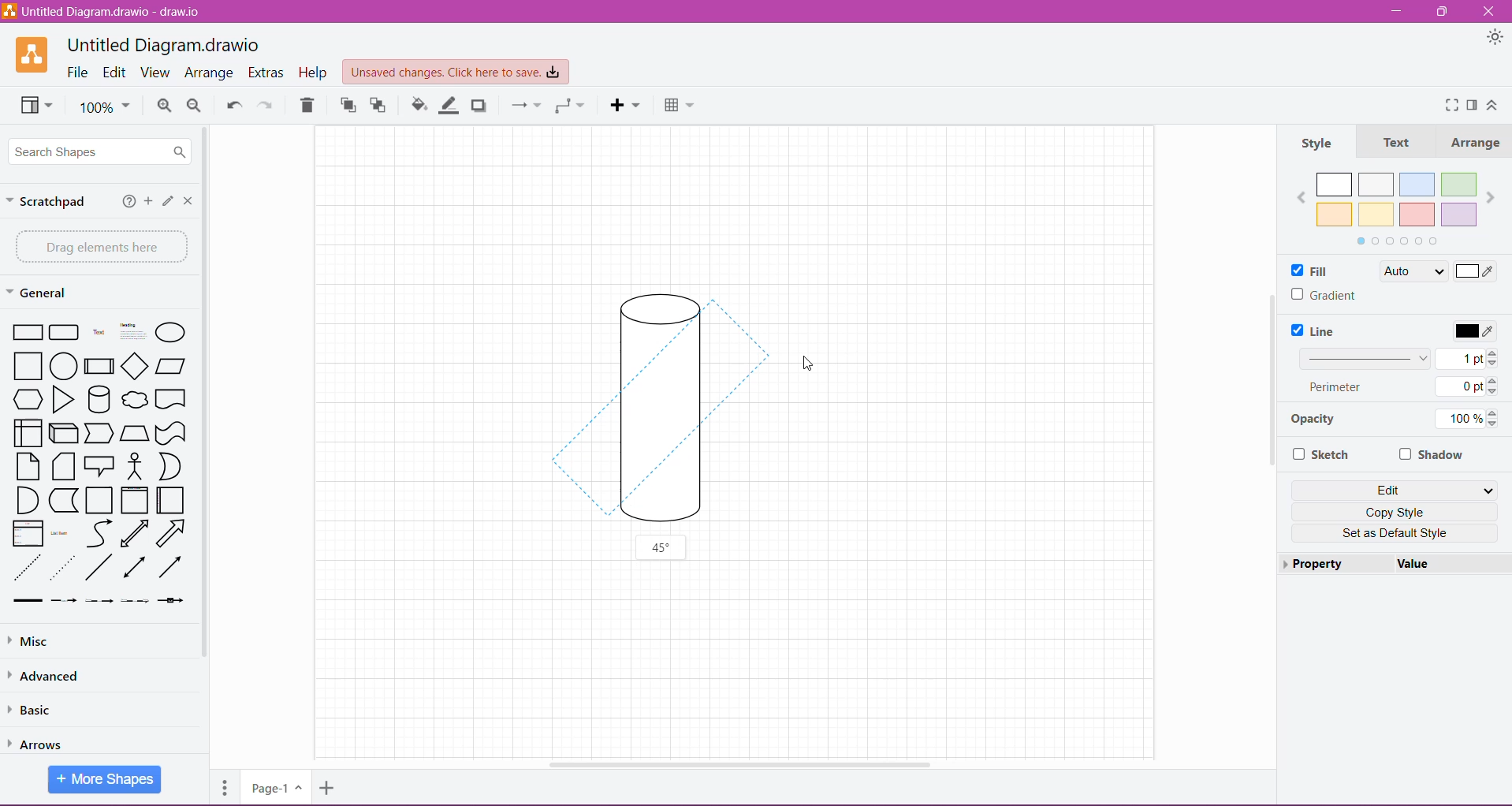  Describe the element at coordinates (523, 106) in the screenshot. I see `Connection` at that location.